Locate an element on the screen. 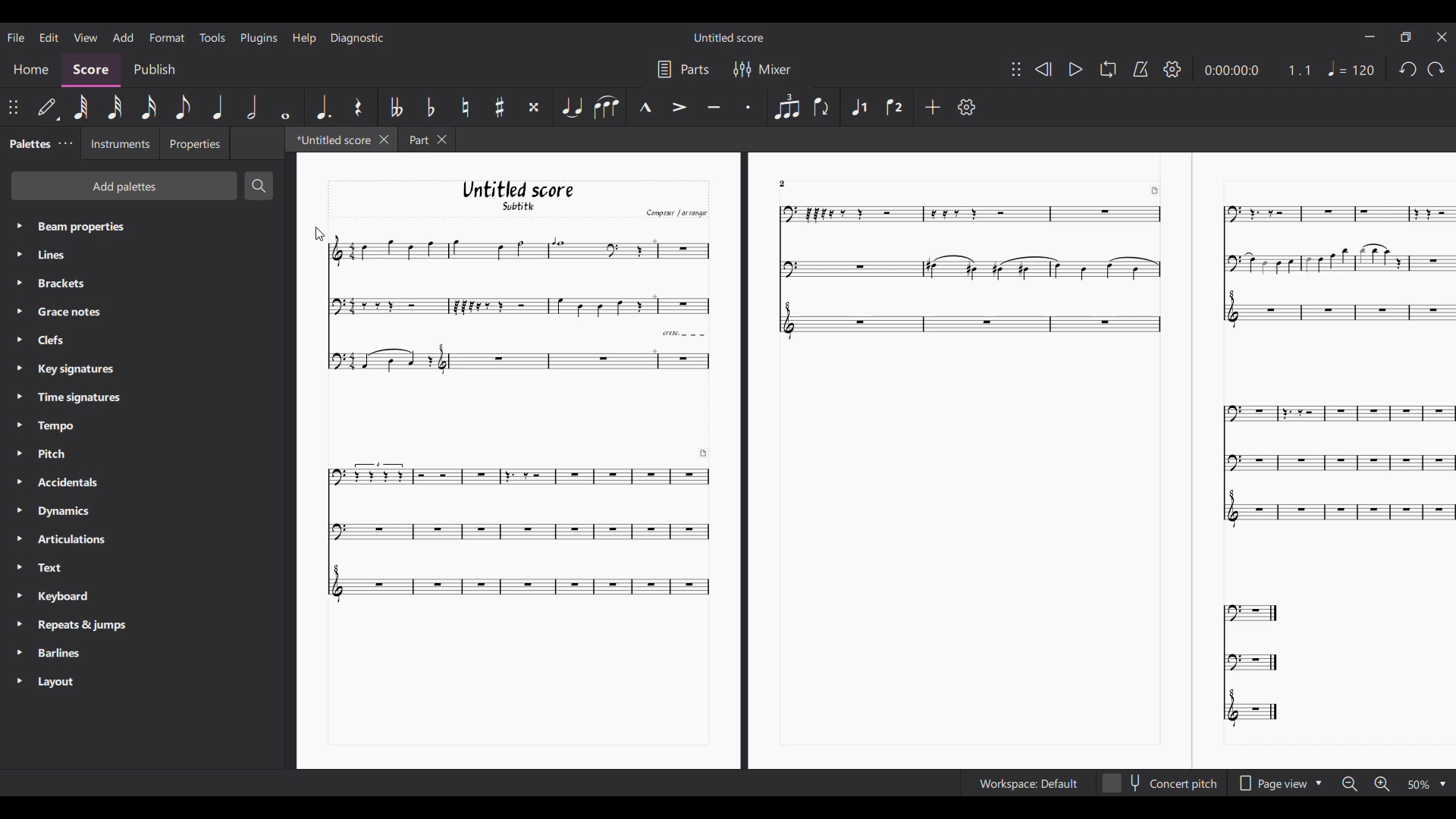 Image resolution: width=1456 pixels, height=819 pixels. Plugins is located at coordinates (259, 38).